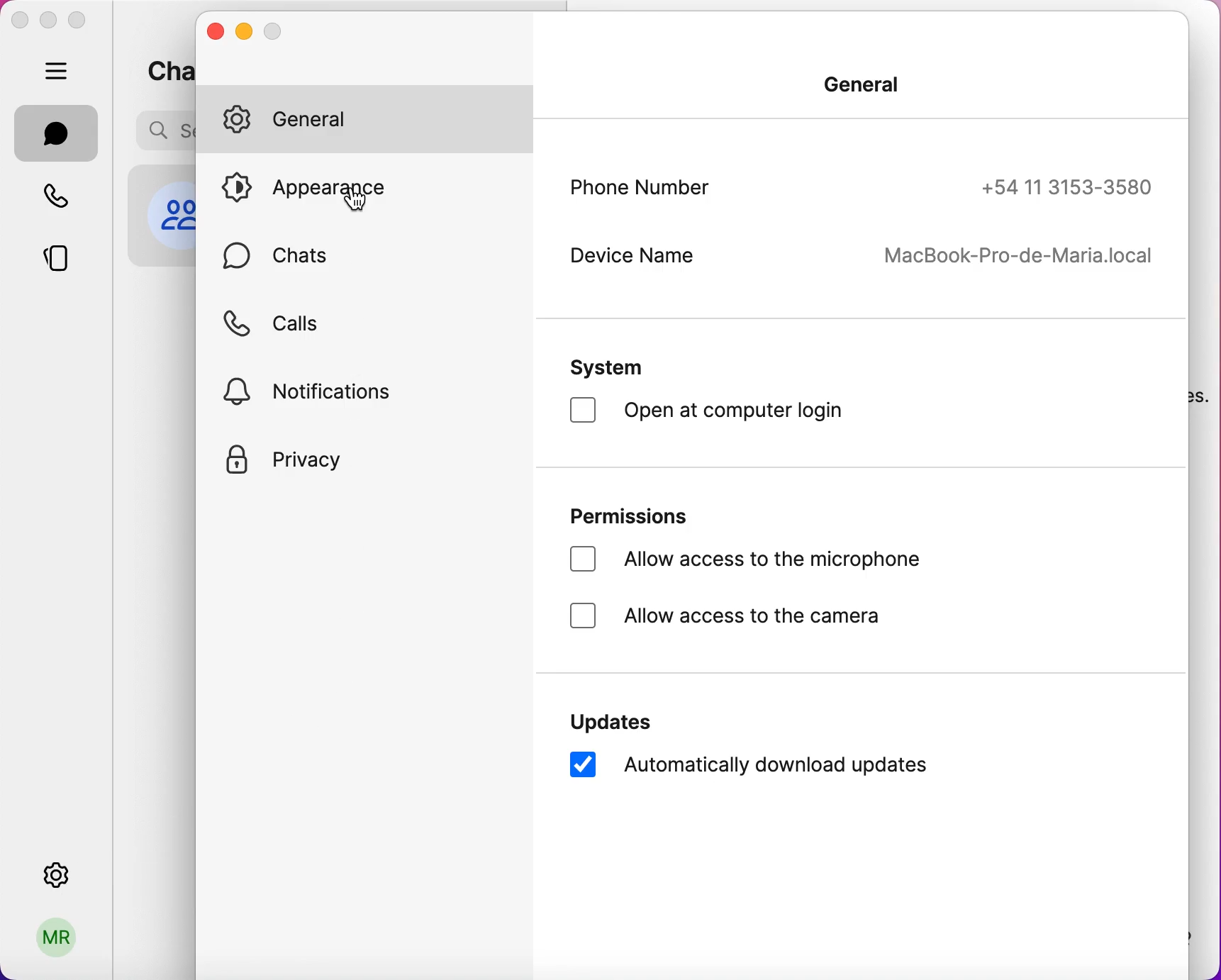  What do you see at coordinates (53, 872) in the screenshot?
I see `settings` at bounding box center [53, 872].